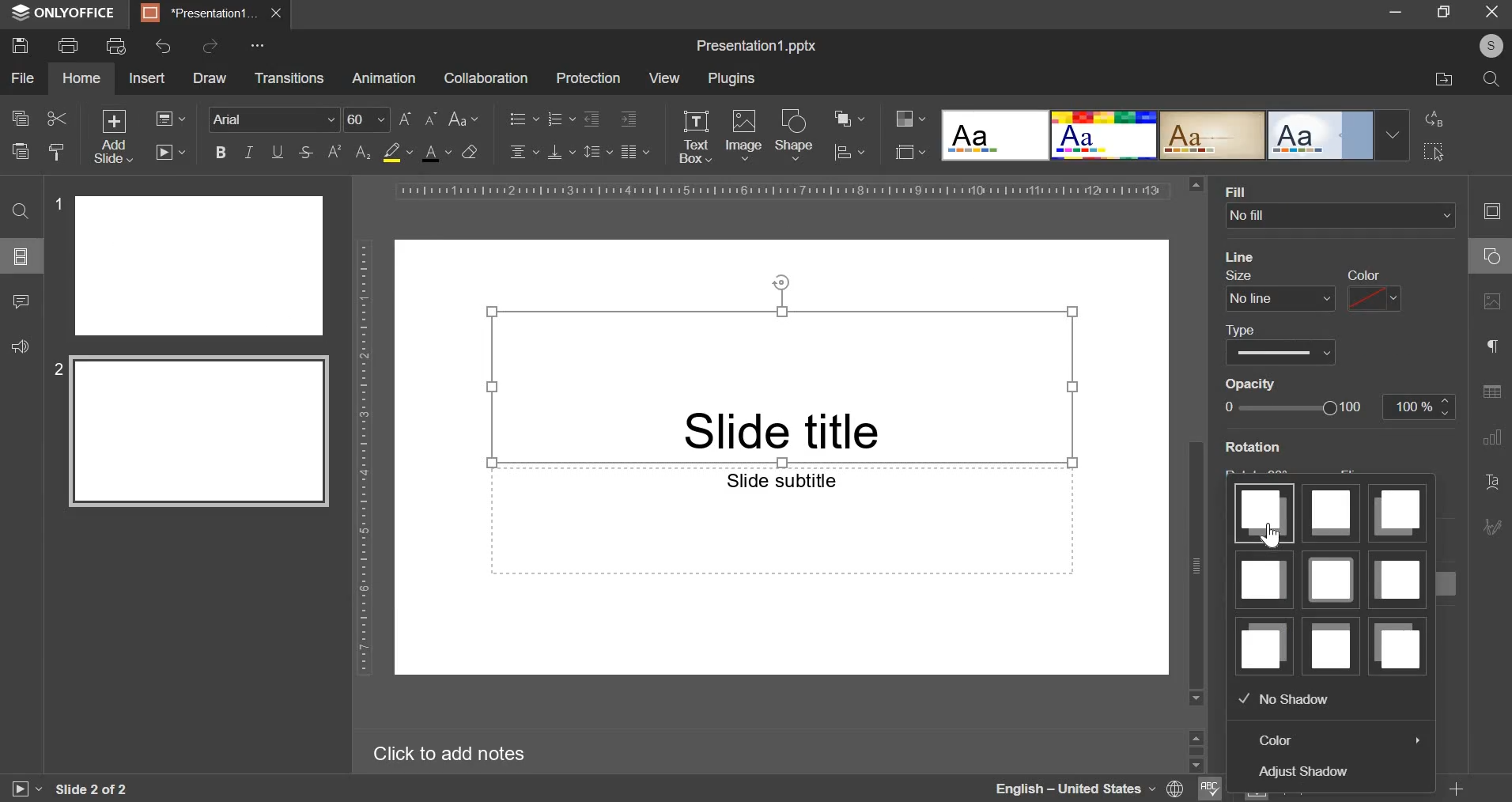  What do you see at coordinates (588, 78) in the screenshot?
I see `protection` at bounding box center [588, 78].